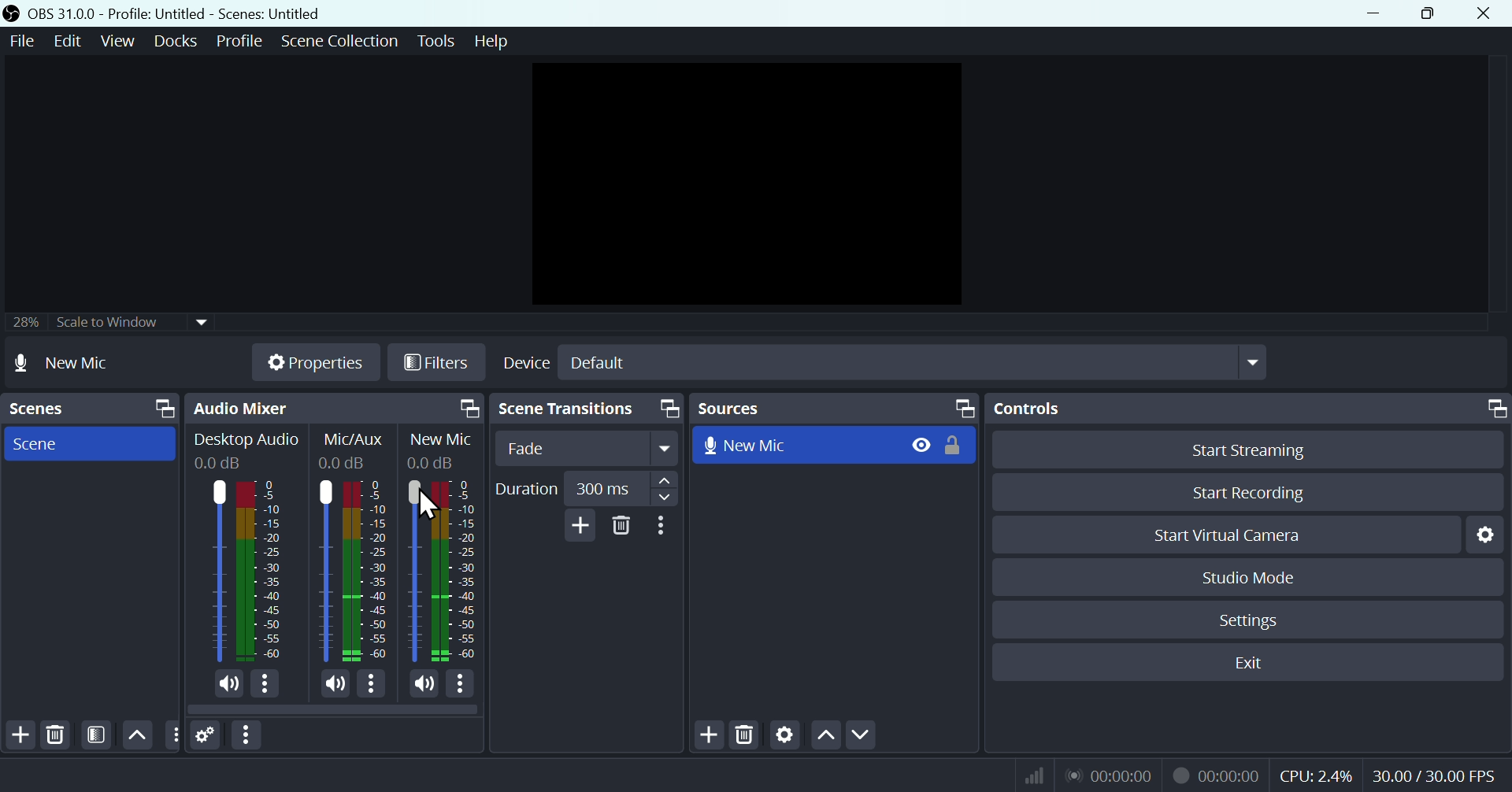 This screenshot has height=792, width=1512. I want to click on Mic/Aux, so click(366, 570).